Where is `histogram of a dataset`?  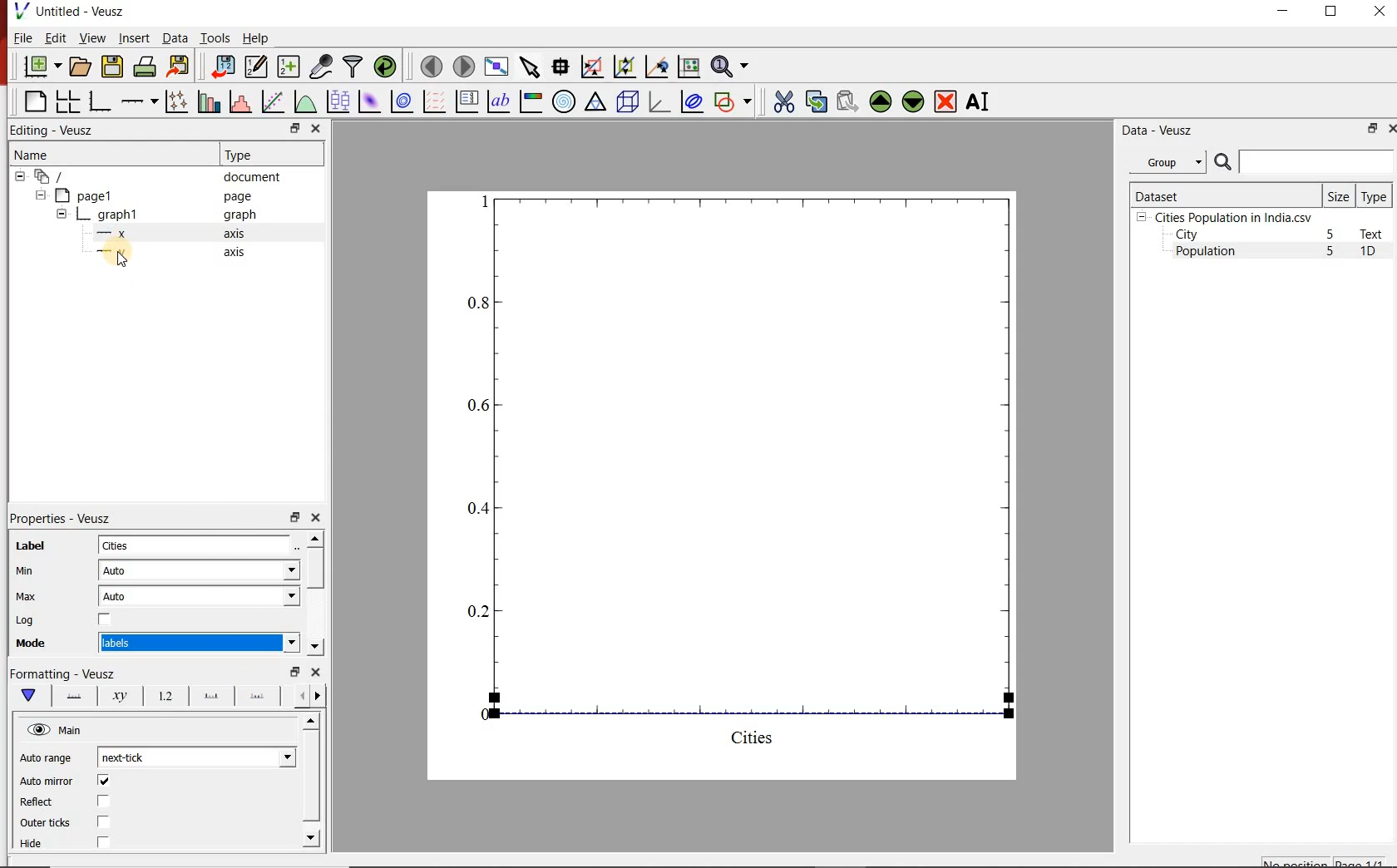
histogram of a dataset is located at coordinates (238, 101).